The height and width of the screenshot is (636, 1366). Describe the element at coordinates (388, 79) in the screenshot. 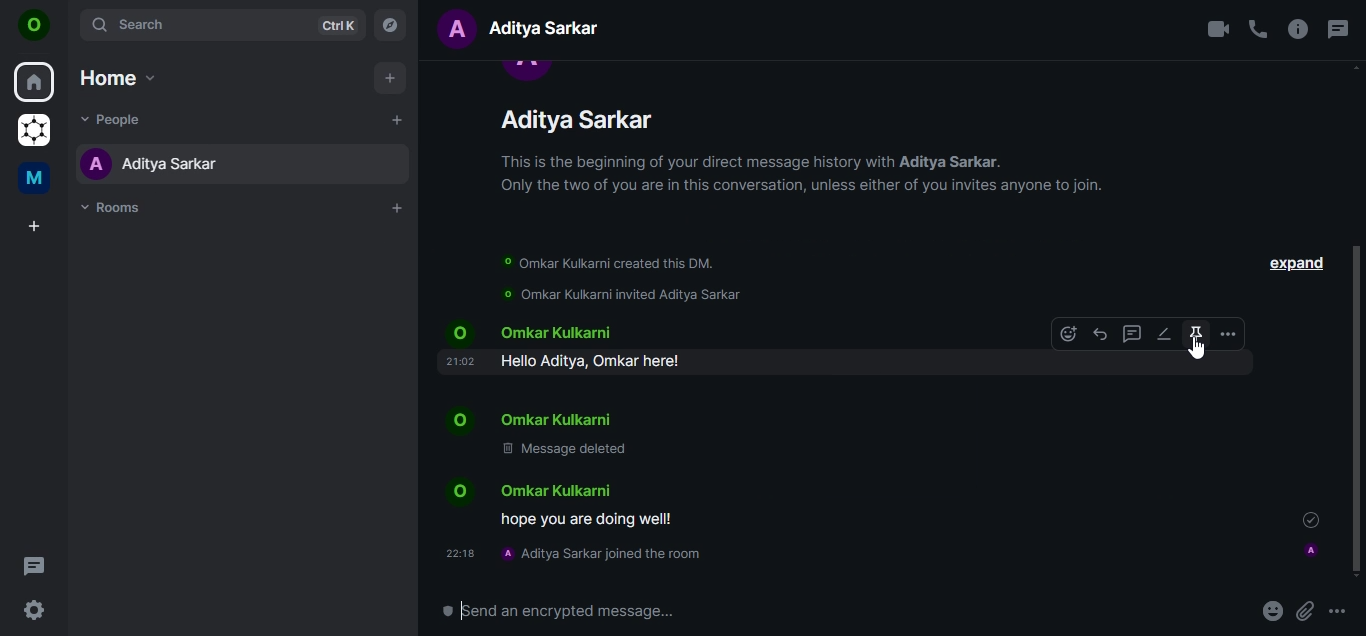

I see `add` at that location.